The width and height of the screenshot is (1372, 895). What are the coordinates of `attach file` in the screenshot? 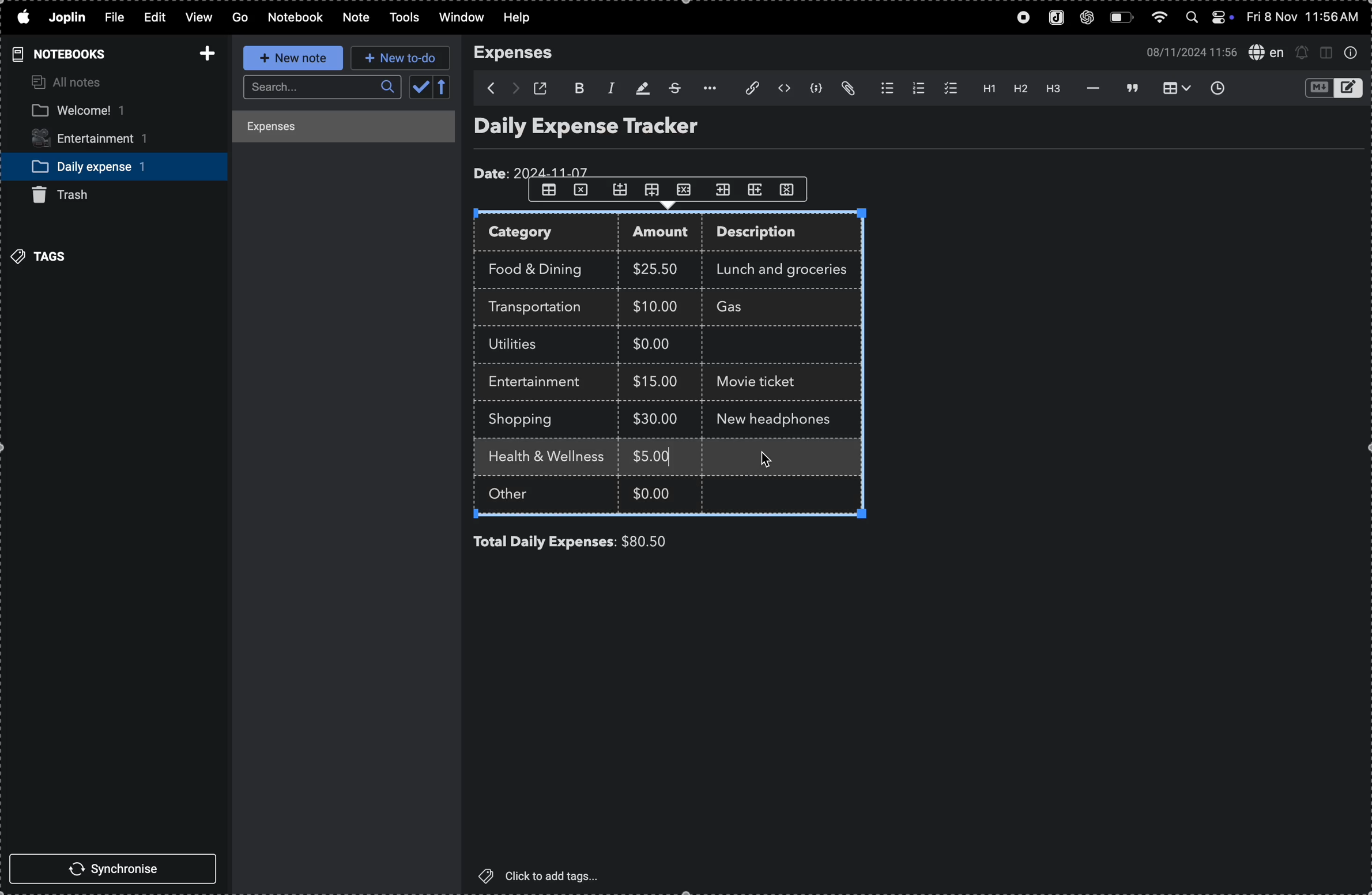 It's located at (745, 89).